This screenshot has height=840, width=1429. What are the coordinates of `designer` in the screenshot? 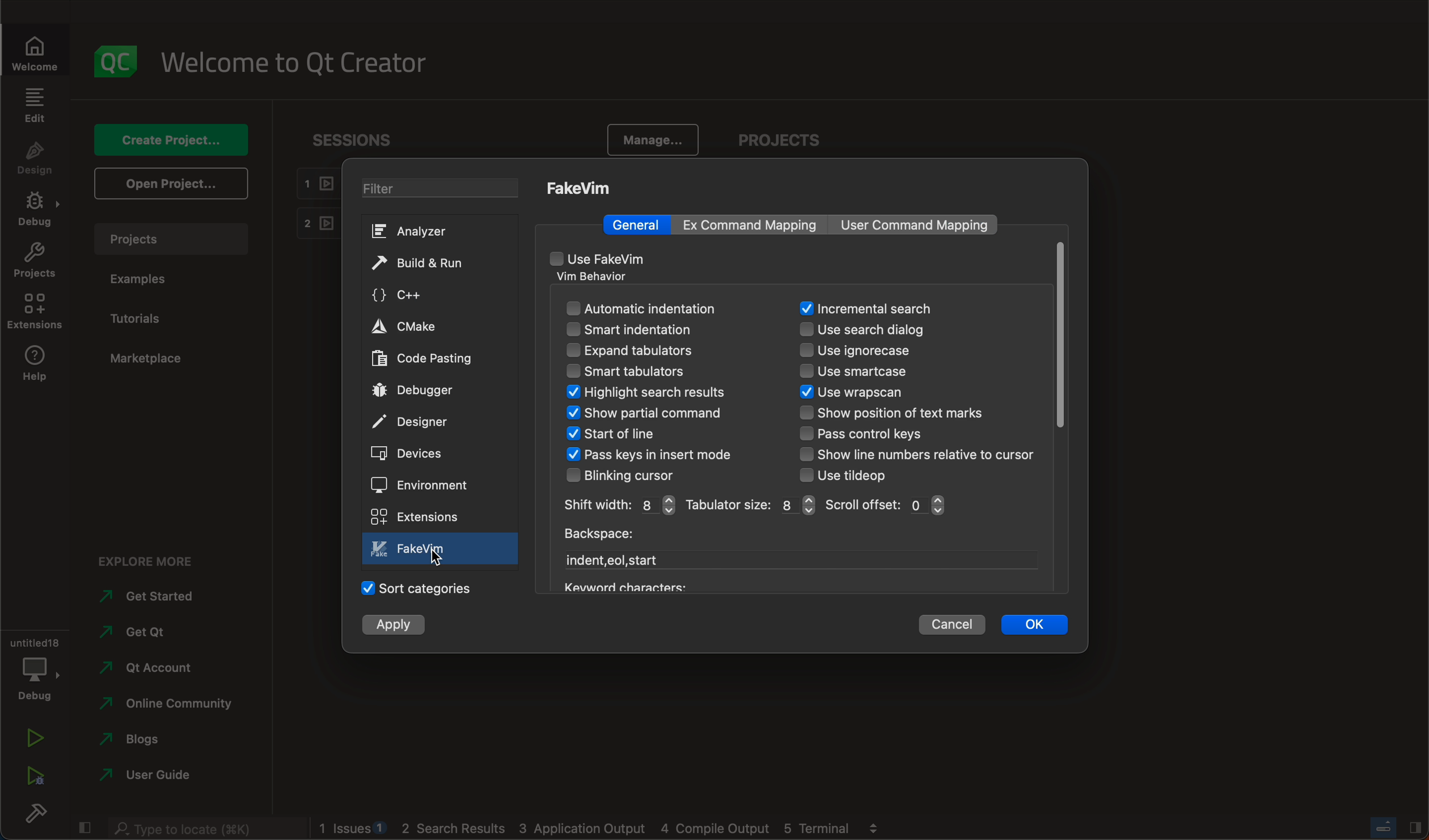 It's located at (417, 422).